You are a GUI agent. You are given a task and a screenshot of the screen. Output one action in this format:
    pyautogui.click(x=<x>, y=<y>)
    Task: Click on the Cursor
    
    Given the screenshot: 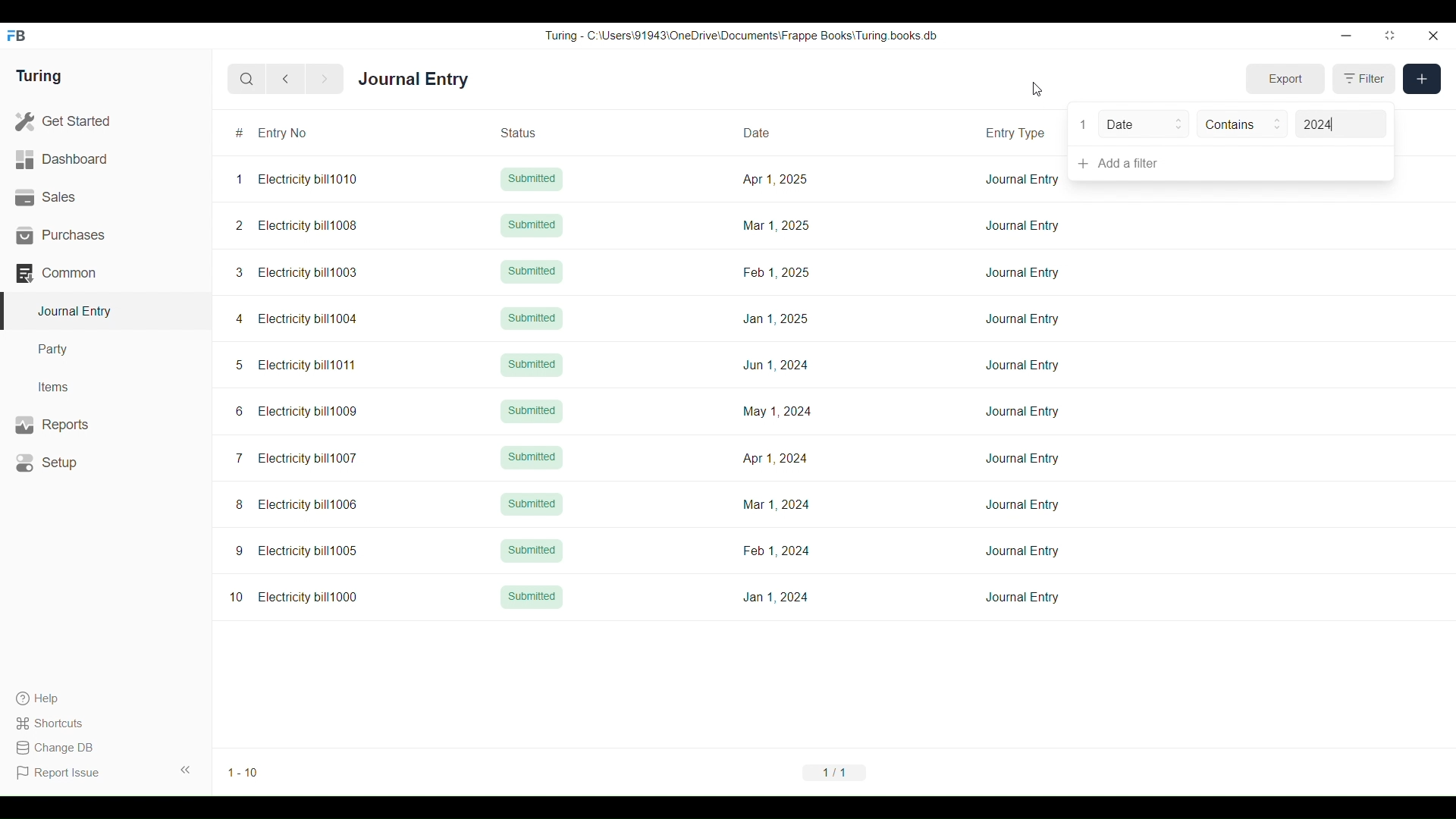 What is the action you would take?
    pyautogui.click(x=1037, y=89)
    